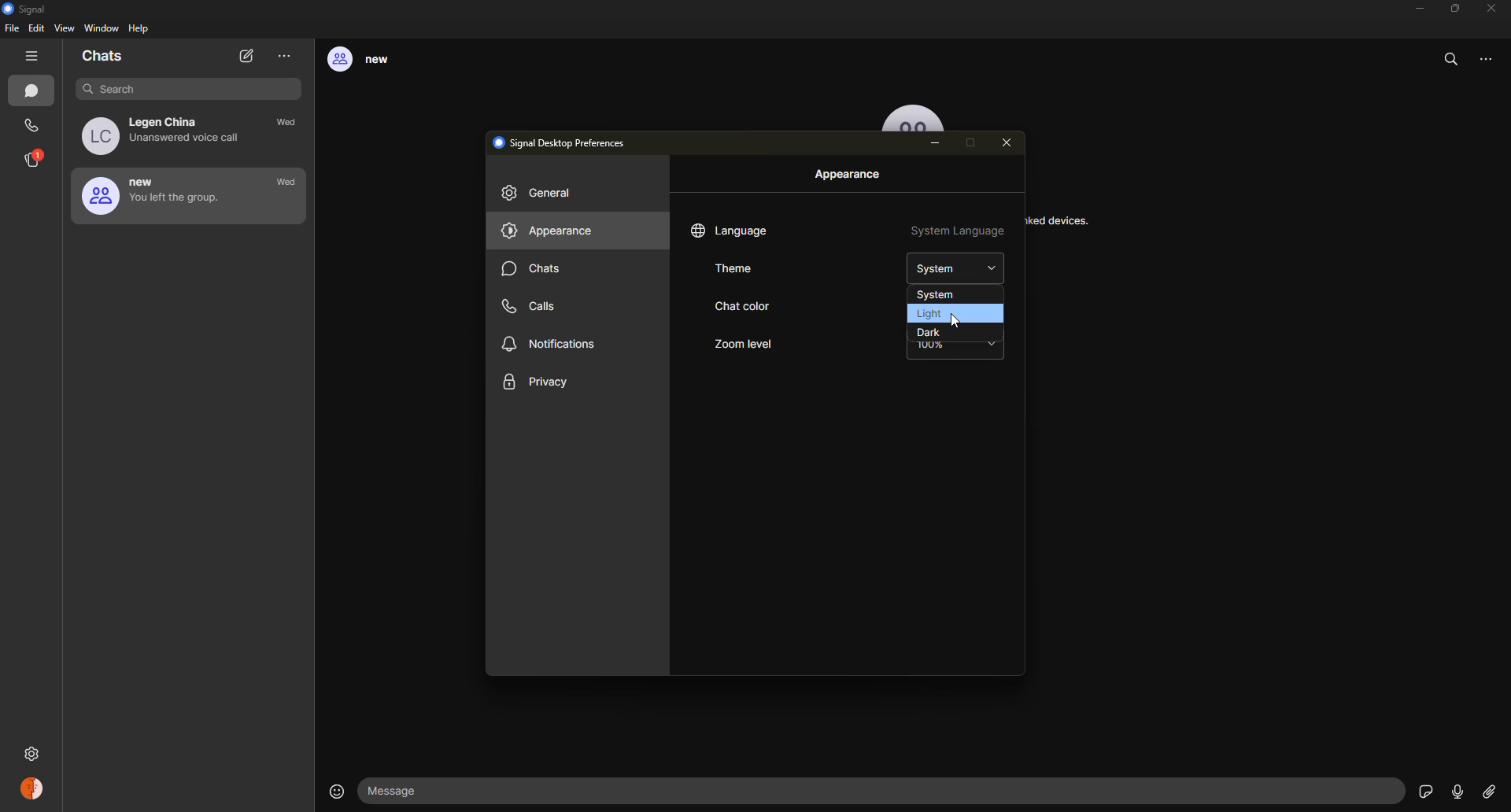  What do you see at coordinates (178, 88) in the screenshot?
I see `search` at bounding box center [178, 88].